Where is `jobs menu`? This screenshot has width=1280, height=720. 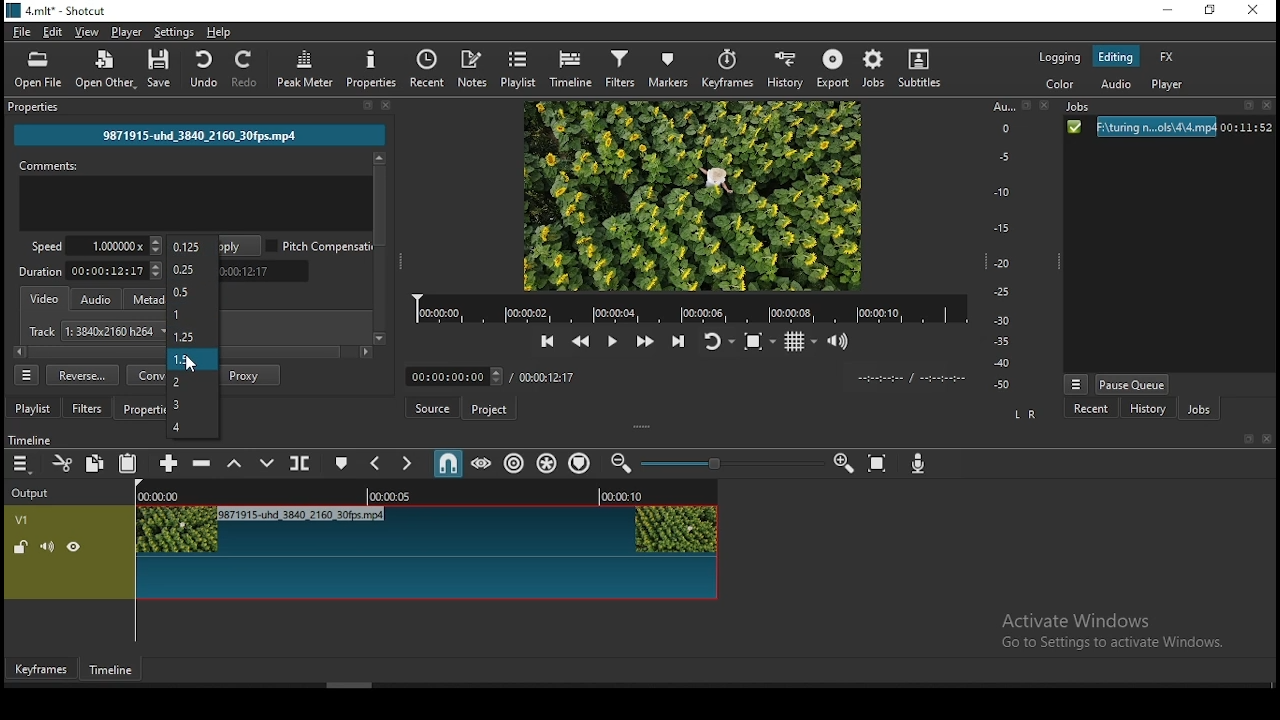
jobs menu is located at coordinates (1074, 386).